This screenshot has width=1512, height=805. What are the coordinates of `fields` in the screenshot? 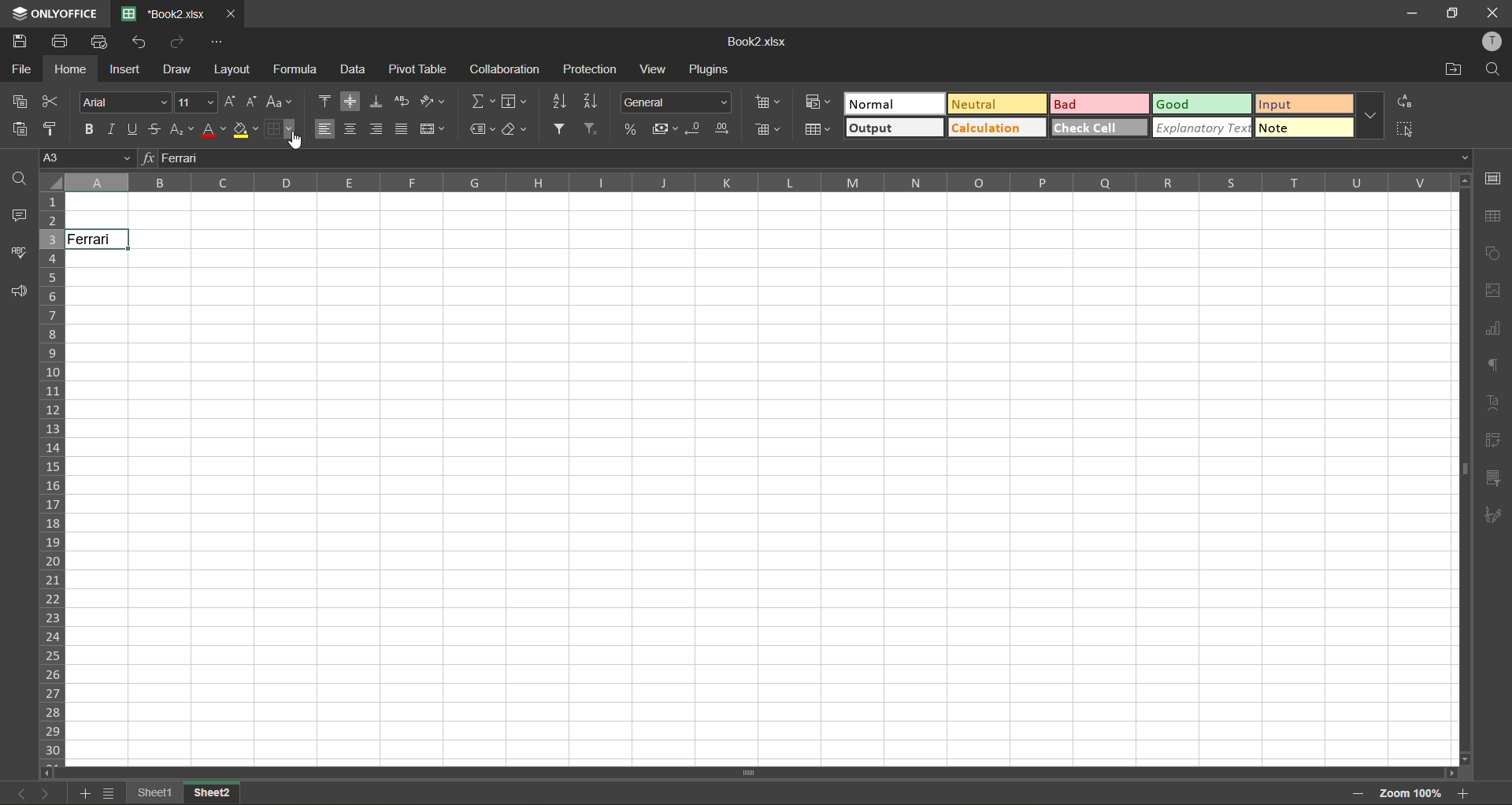 It's located at (517, 101).